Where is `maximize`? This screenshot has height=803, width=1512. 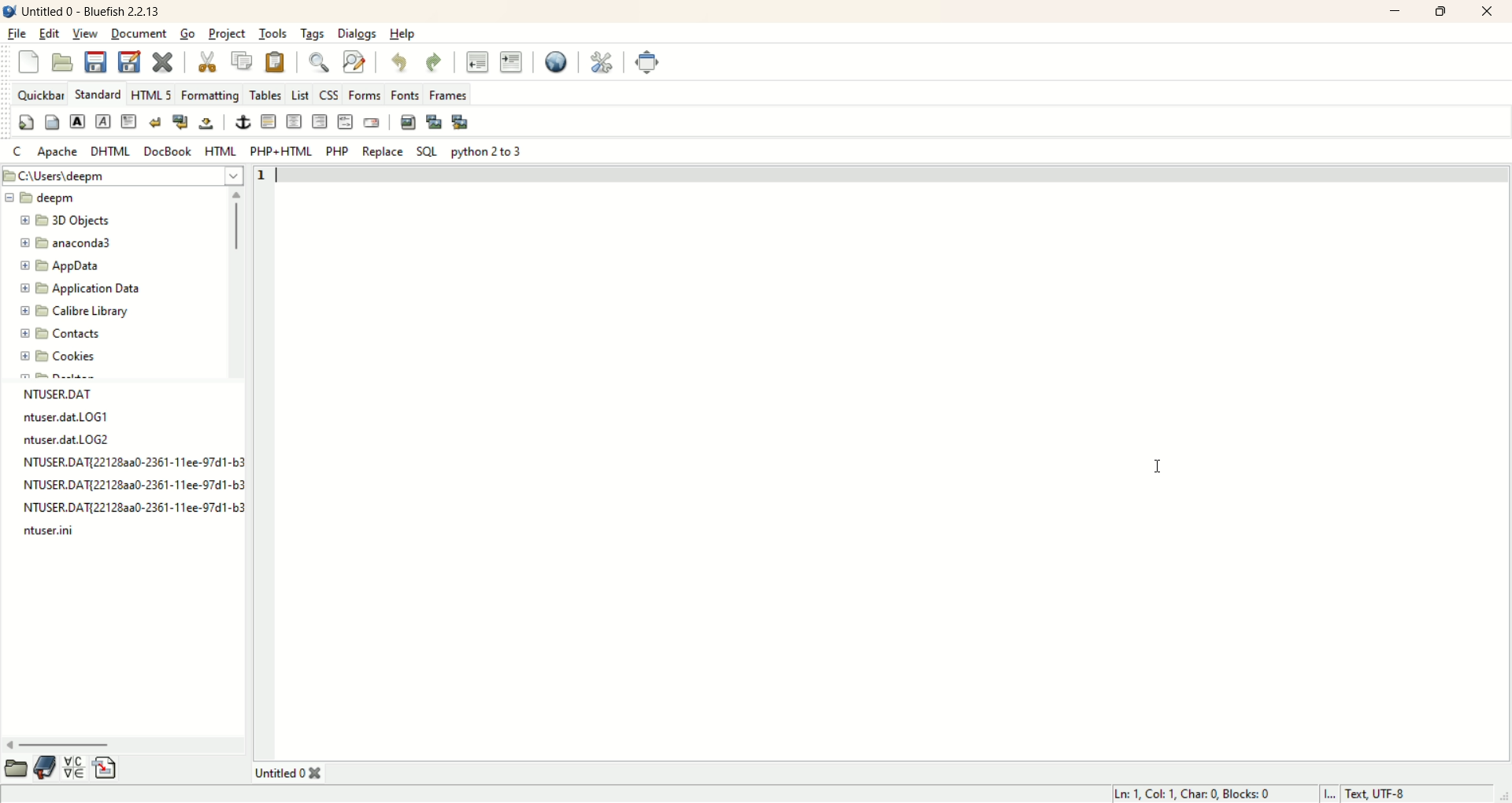
maximize is located at coordinates (1442, 13).